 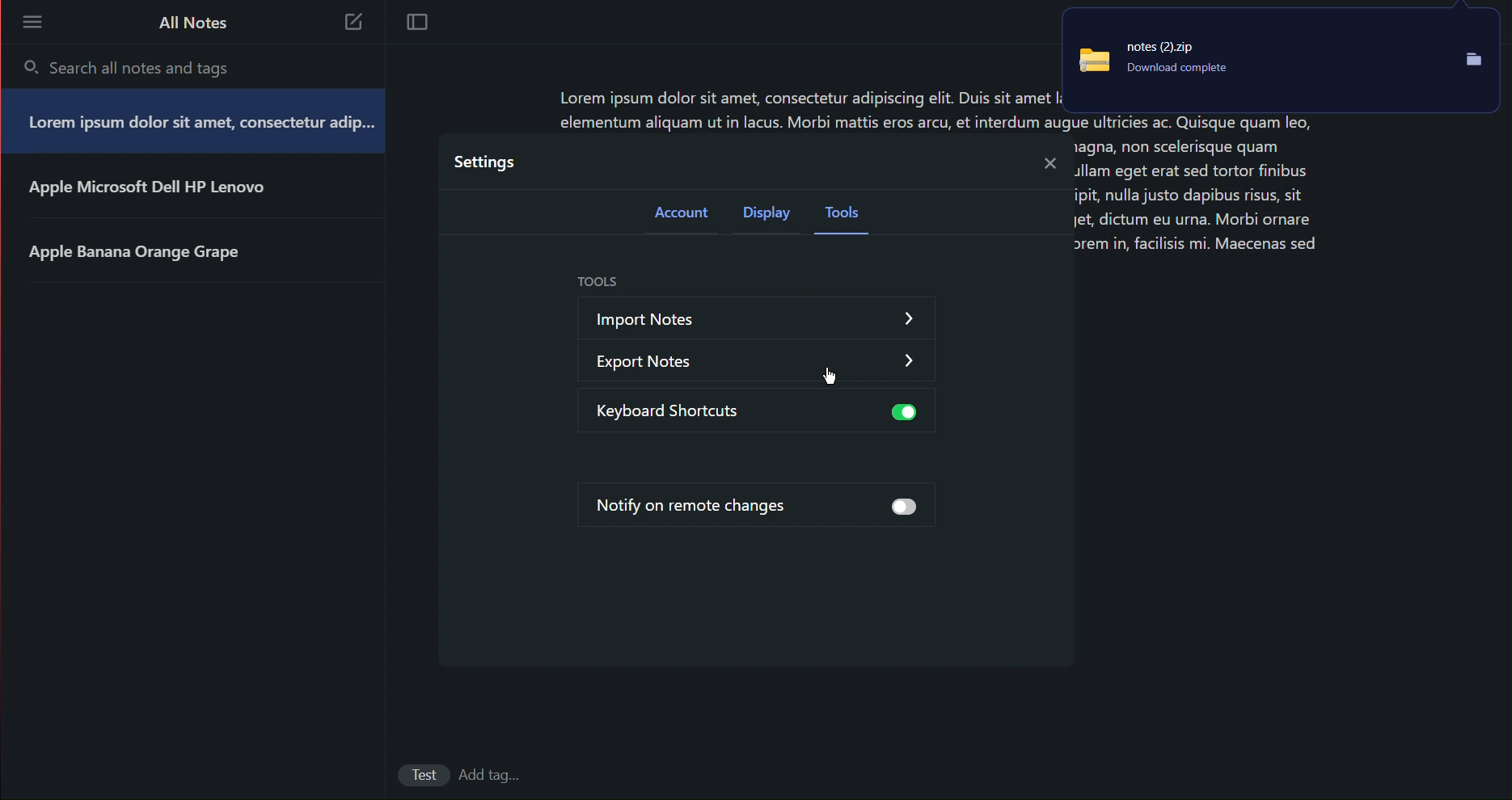 What do you see at coordinates (190, 24) in the screenshot?
I see `All Notes` at bounding box center [190, 24].